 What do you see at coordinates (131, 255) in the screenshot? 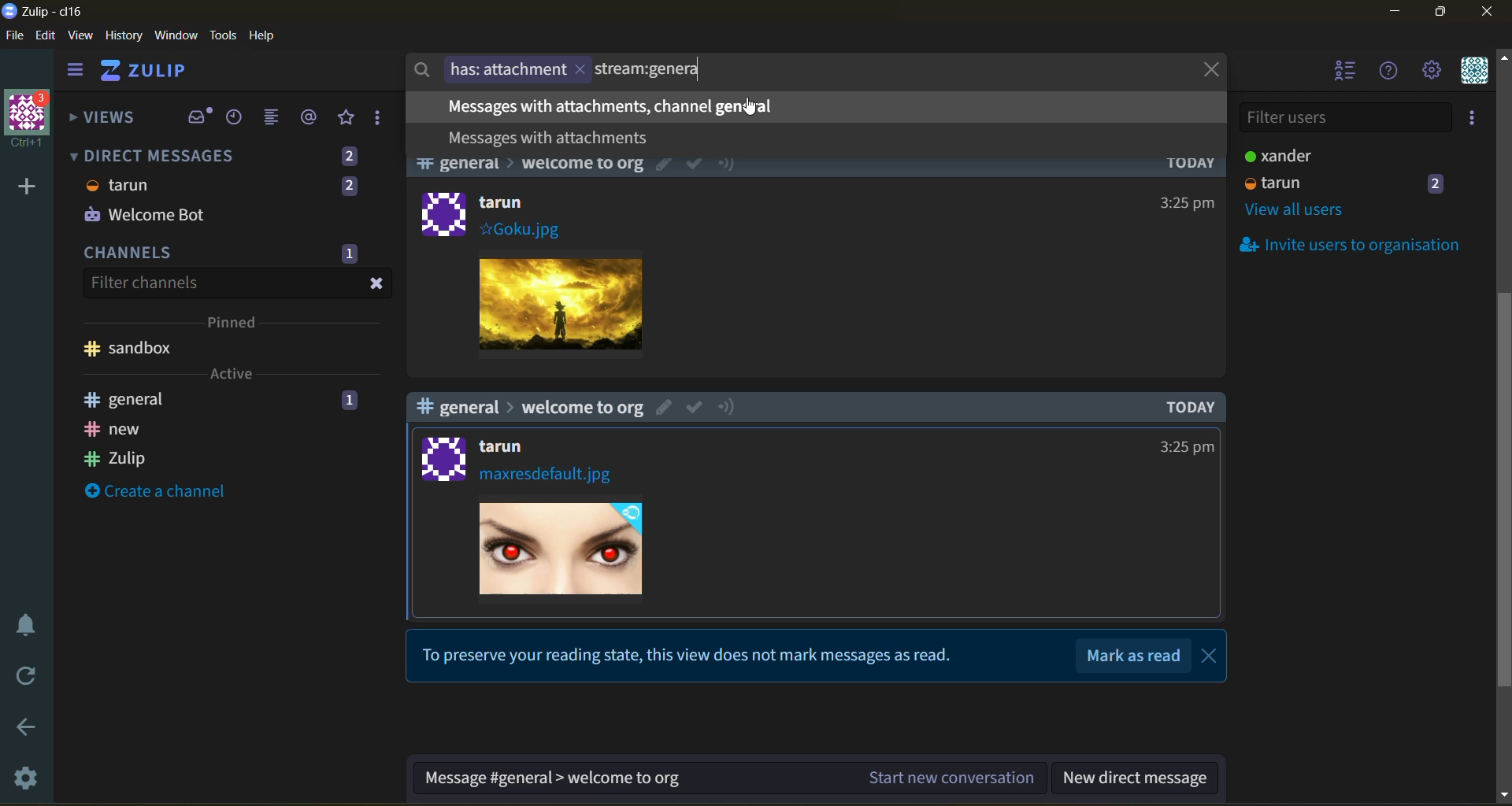
I see `CHANNELS` at bounding box center [131, 255].